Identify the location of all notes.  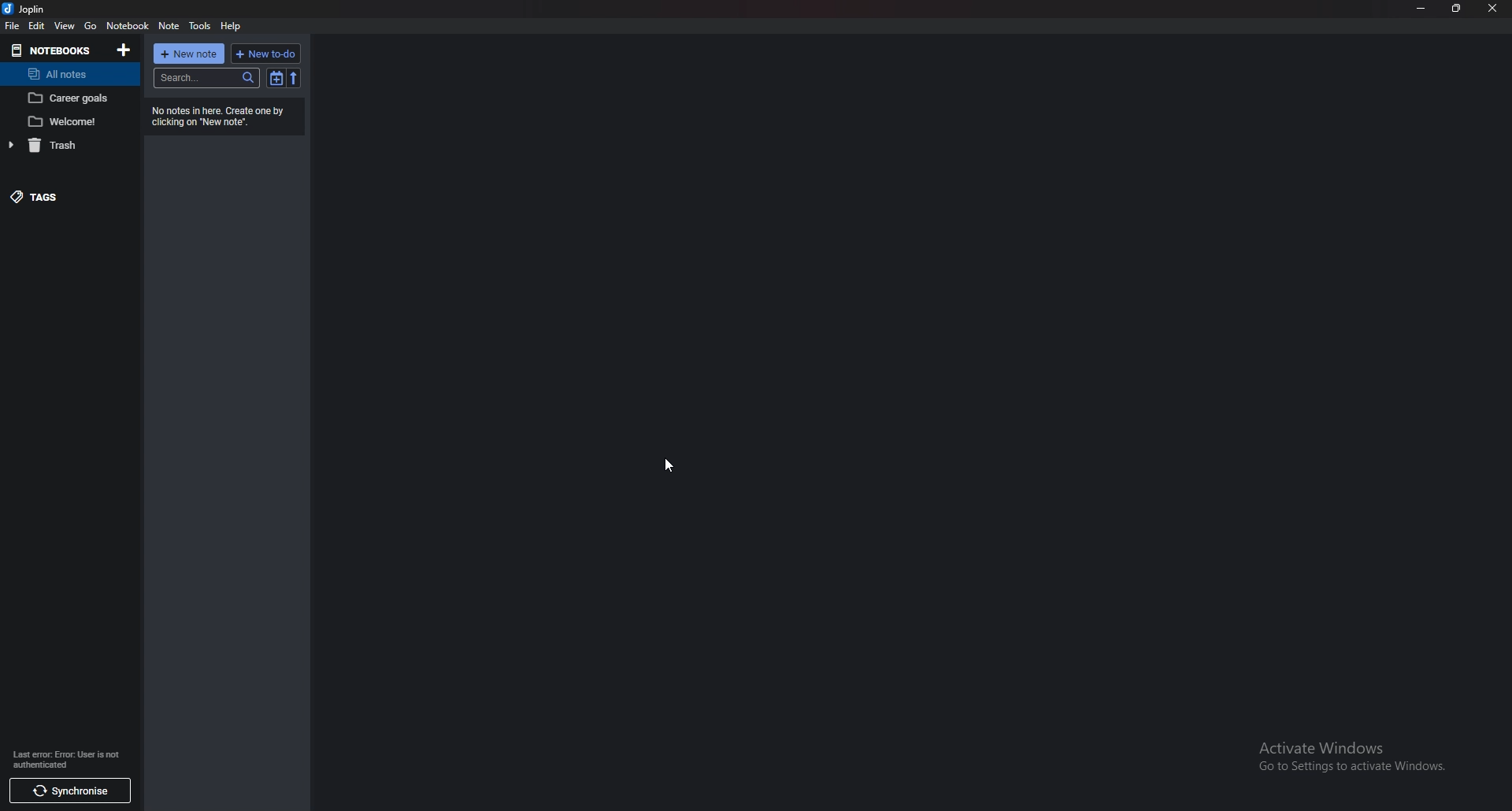
(62, 74).